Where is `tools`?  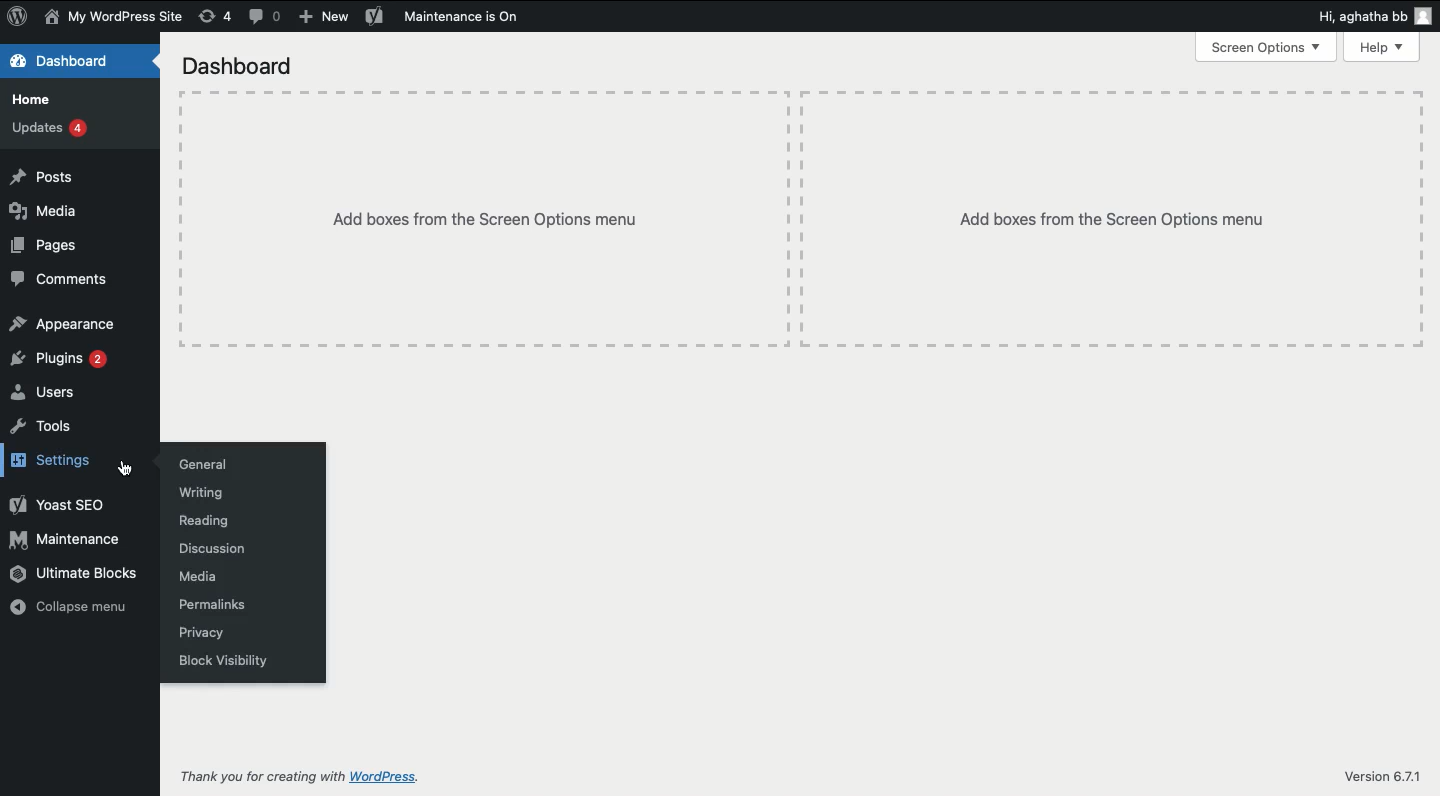 tools is located at coordinates (42, 428).